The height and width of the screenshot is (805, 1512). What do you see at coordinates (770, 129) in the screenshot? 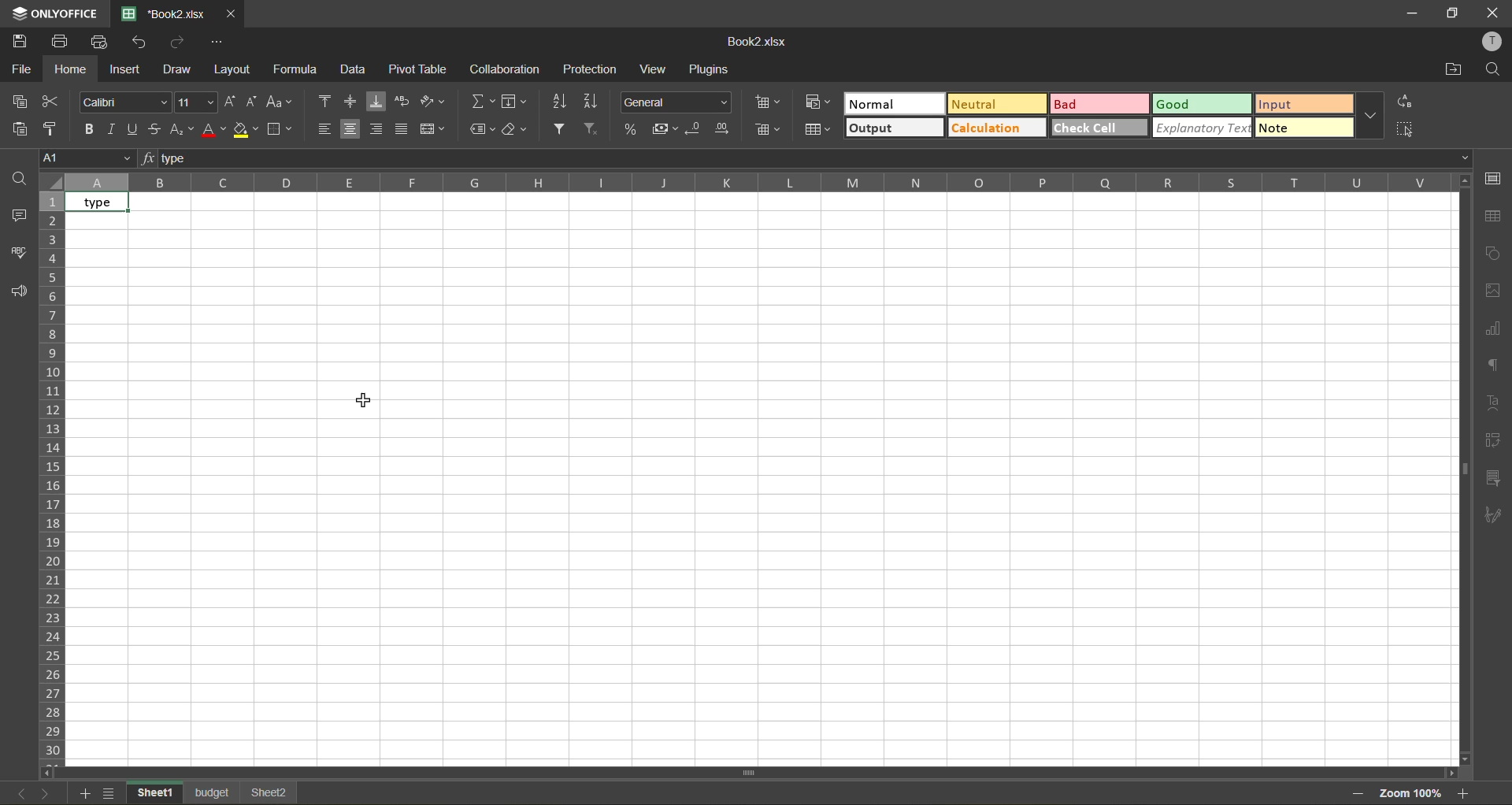
I see `delete cells` at bounding box center [770, 129].